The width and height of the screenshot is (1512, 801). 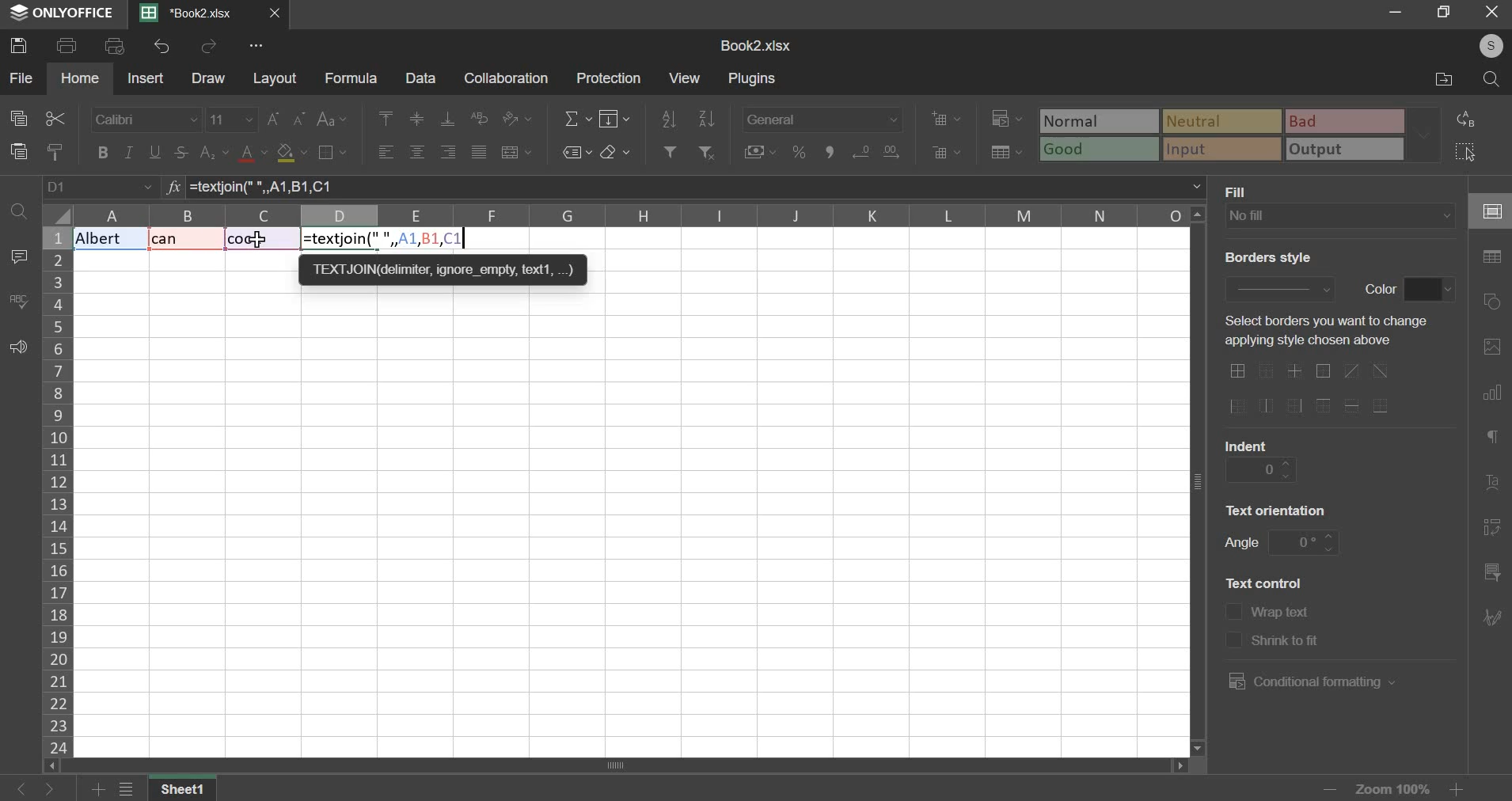 What do you see at coordinates (18, 119) in the screenshot?
I see `copy` at bounding box center [18, 119].